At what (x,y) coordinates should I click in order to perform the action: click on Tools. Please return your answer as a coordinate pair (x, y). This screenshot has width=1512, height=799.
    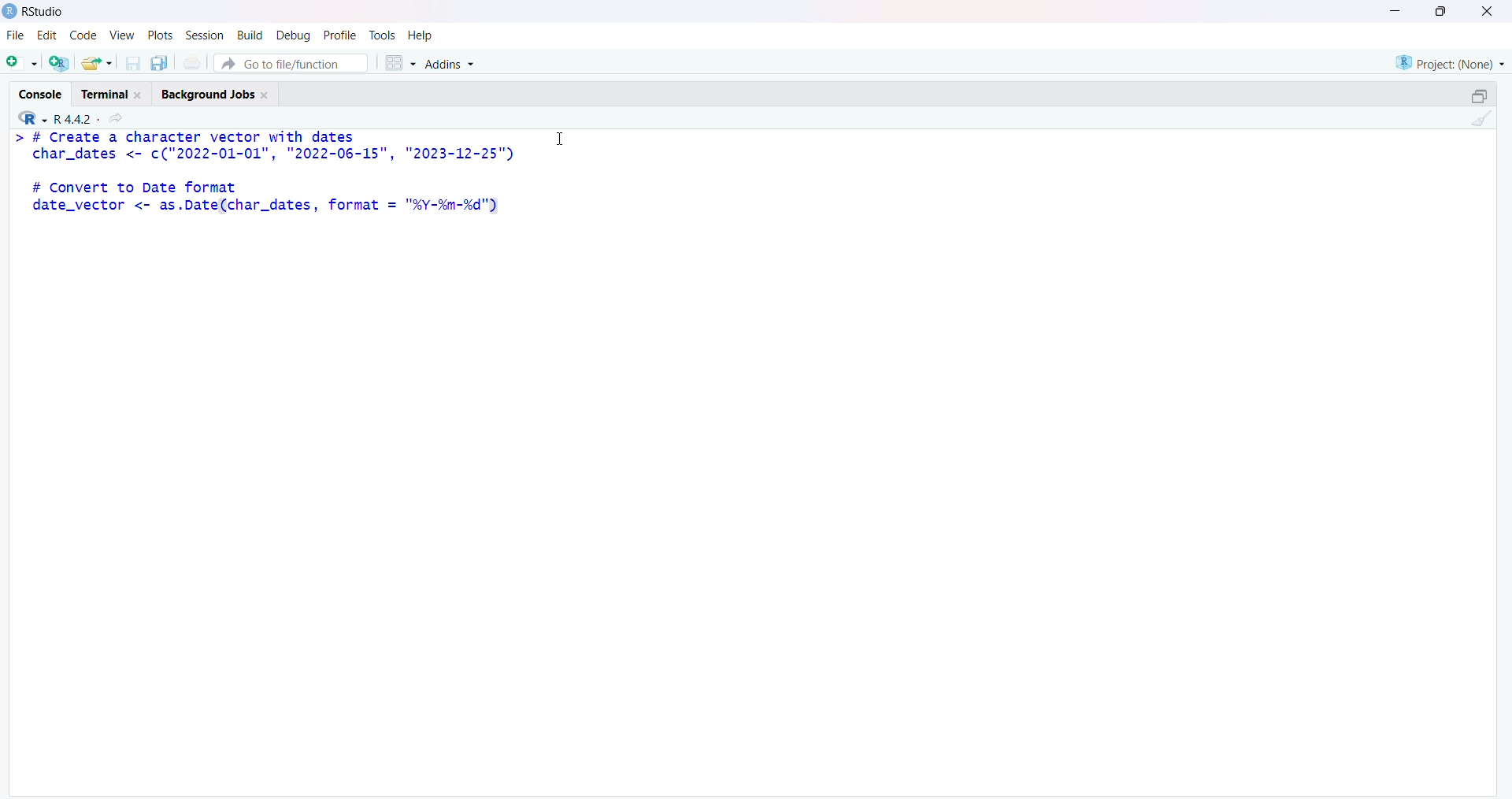
    Looking at the image, I should click on (383, 35).